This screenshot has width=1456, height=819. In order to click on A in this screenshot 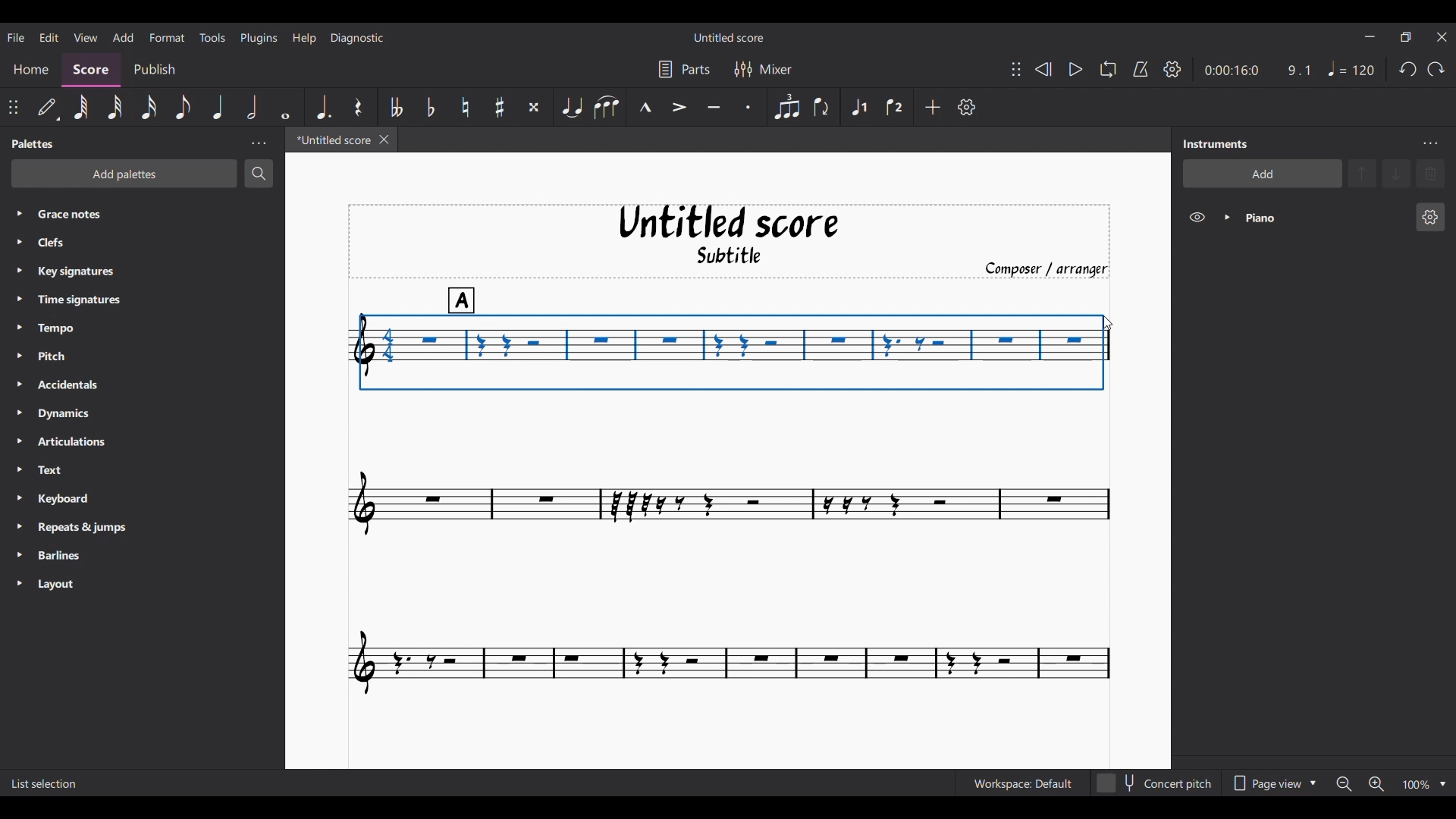, I will do `click(463, 296)`.